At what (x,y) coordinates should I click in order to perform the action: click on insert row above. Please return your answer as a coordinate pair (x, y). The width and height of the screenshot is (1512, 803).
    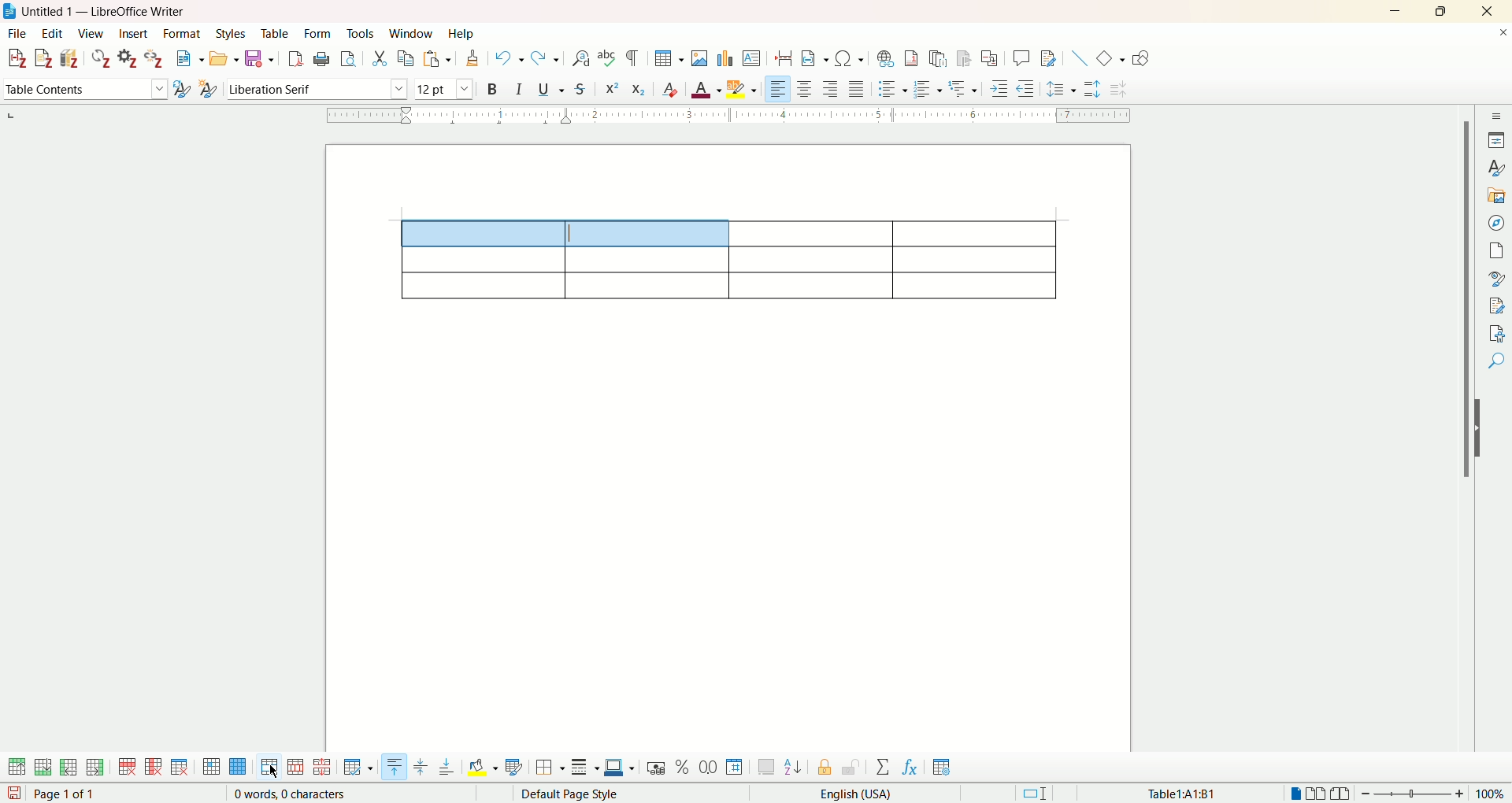
    Looking at the image, I should click on (17, 764).